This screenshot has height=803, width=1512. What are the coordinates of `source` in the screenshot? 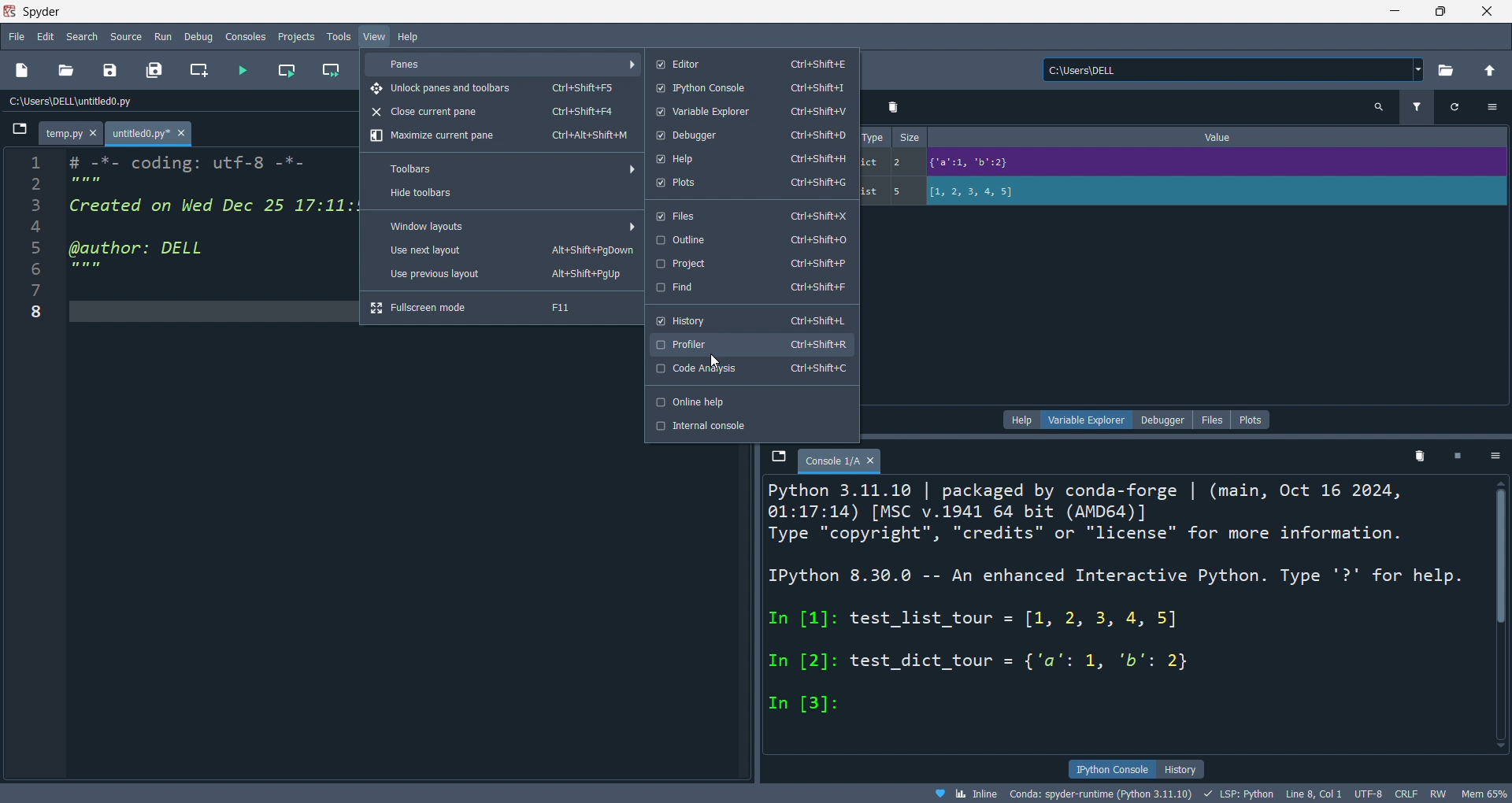 It's located at (127, 35).